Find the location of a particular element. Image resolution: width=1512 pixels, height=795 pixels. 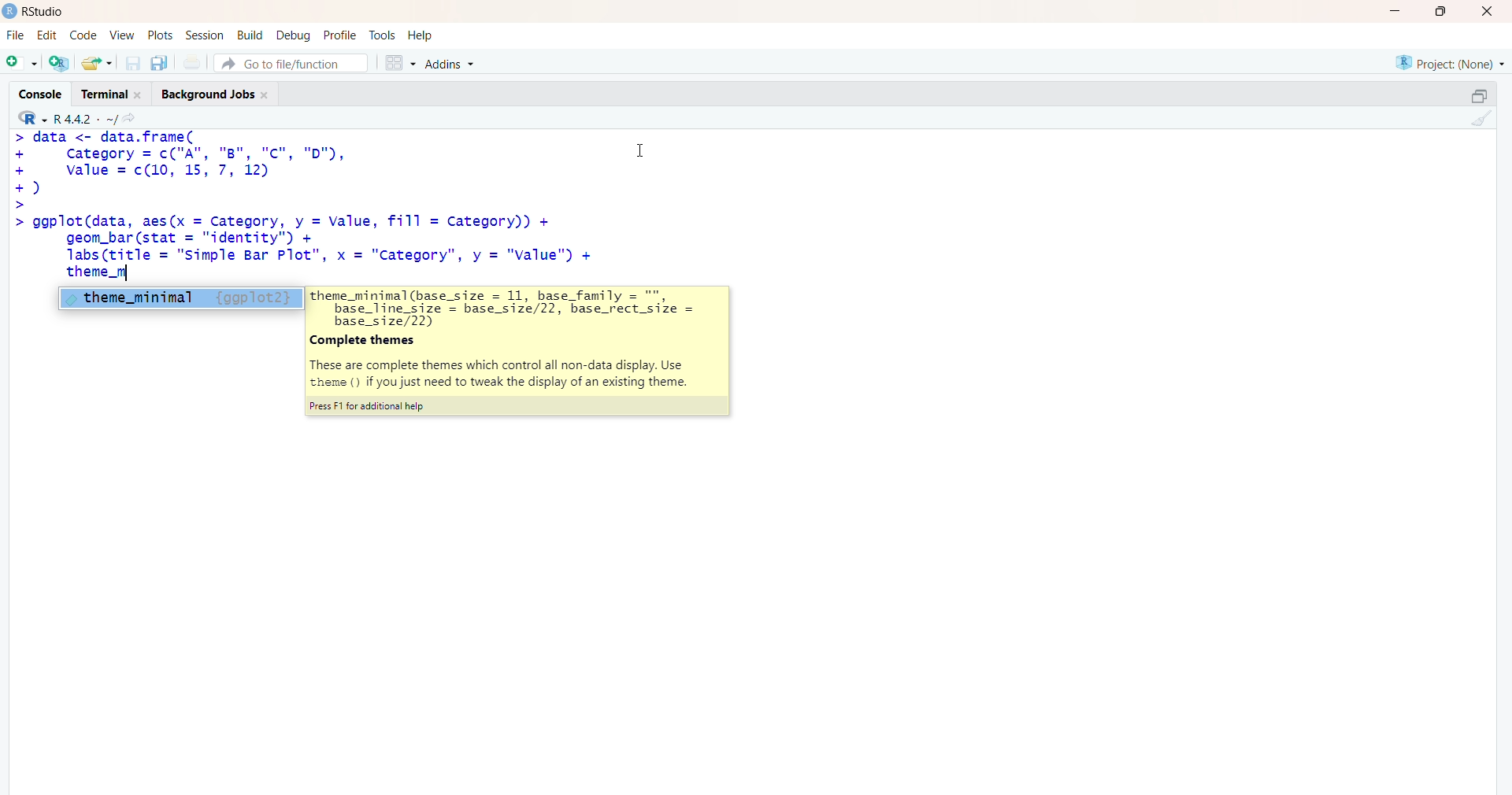

suggested - theme_minimal is located at coordinates (177, 298).